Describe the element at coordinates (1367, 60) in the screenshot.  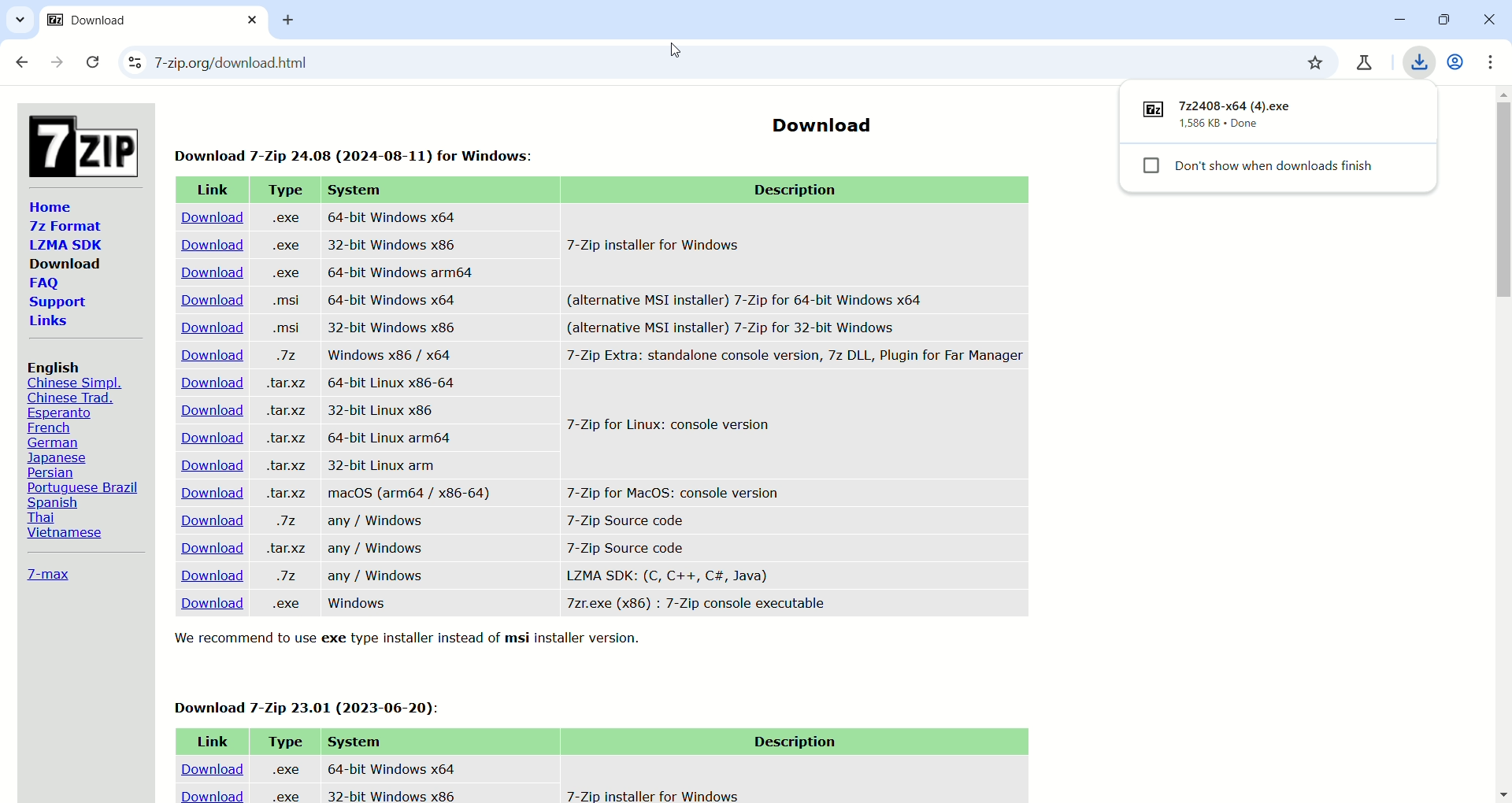
I see `chrome labs` at that location.